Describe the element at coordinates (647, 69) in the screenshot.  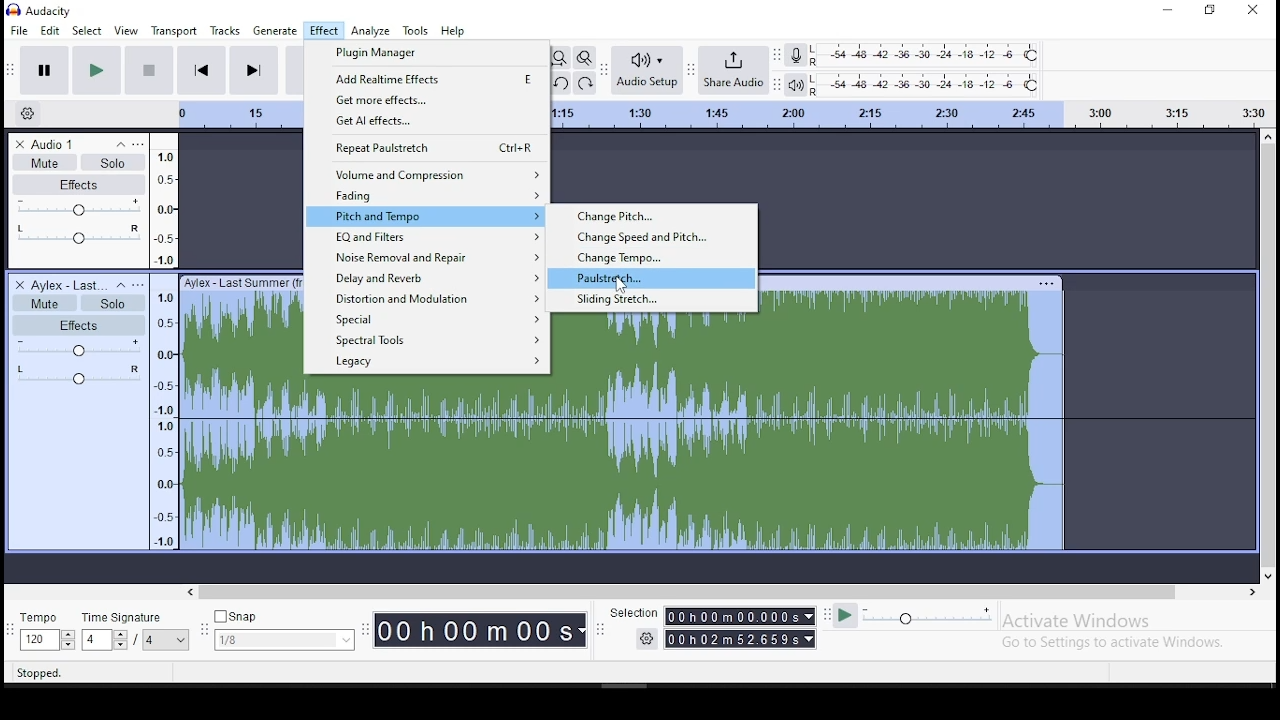
I see `audio setup` at that location.